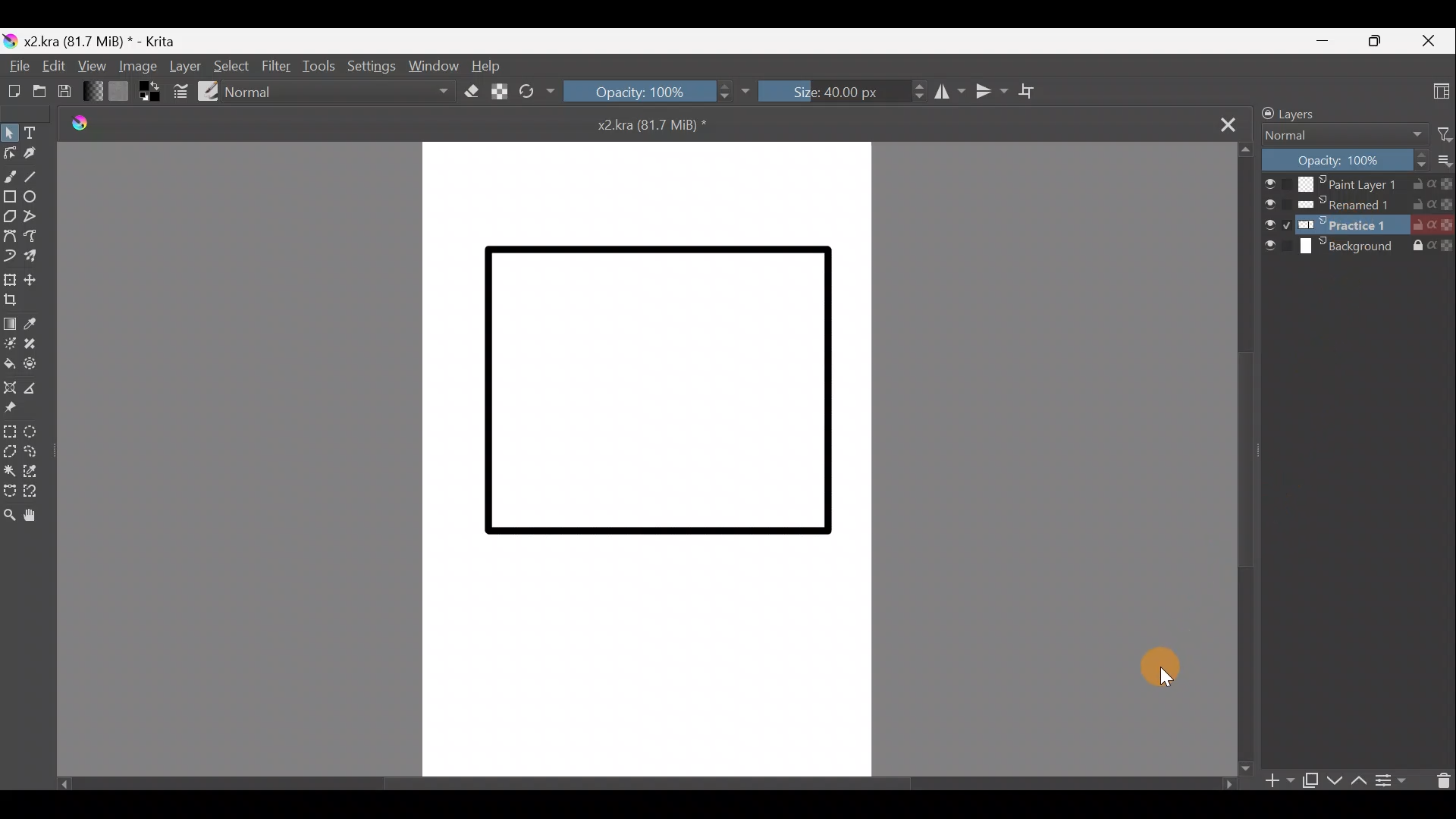 The image size is (1456, 819). I want to click on Edit, so click(52, 65).